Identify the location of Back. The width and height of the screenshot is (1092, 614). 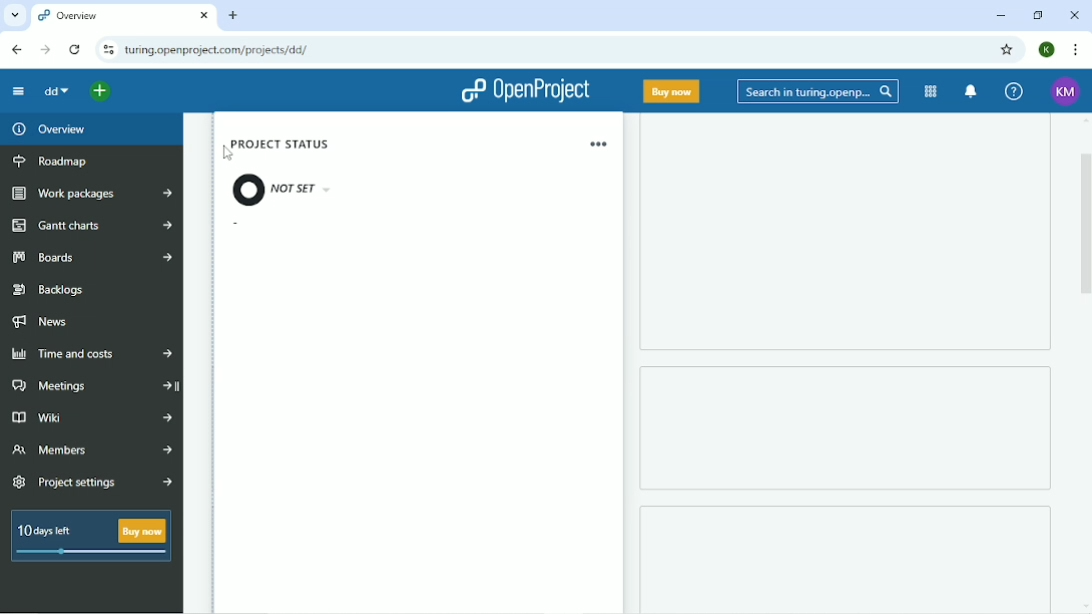
(17, 49).